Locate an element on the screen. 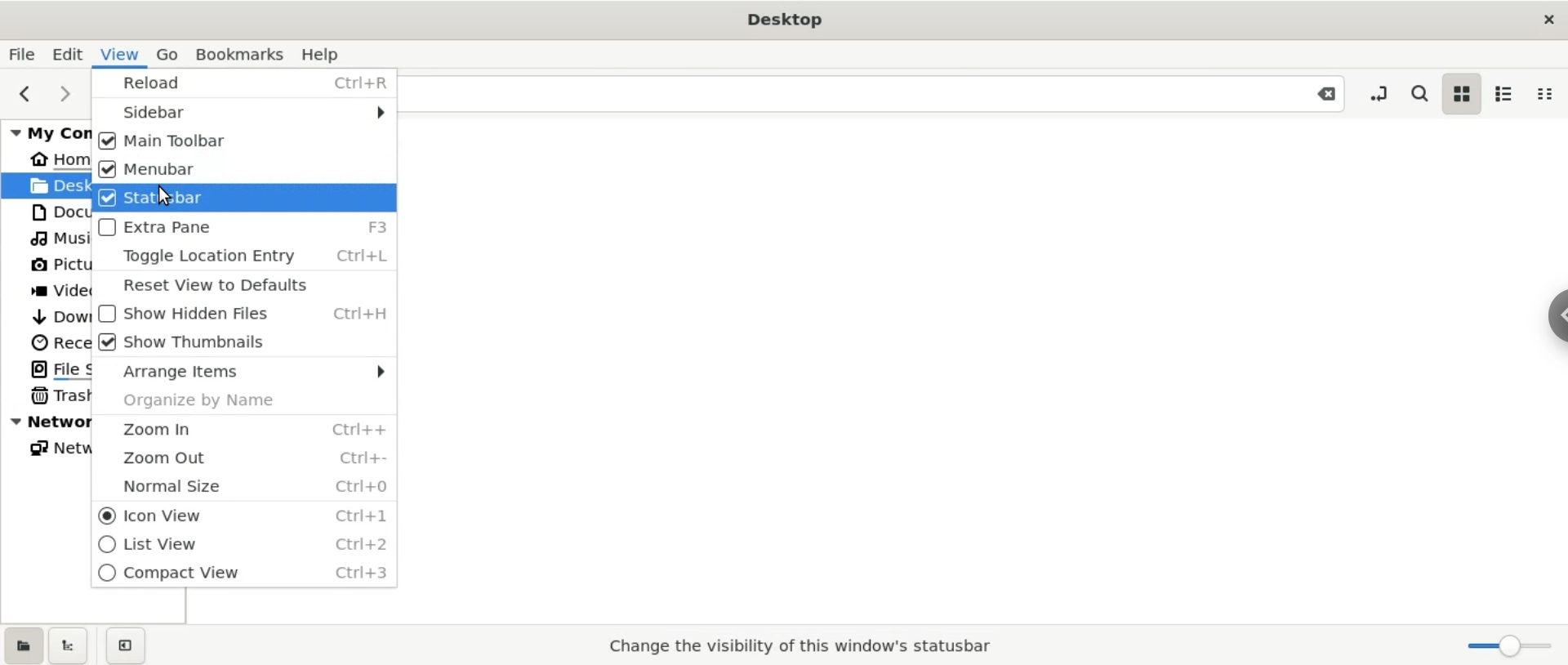  Edit is located at coordinates (65, 53).